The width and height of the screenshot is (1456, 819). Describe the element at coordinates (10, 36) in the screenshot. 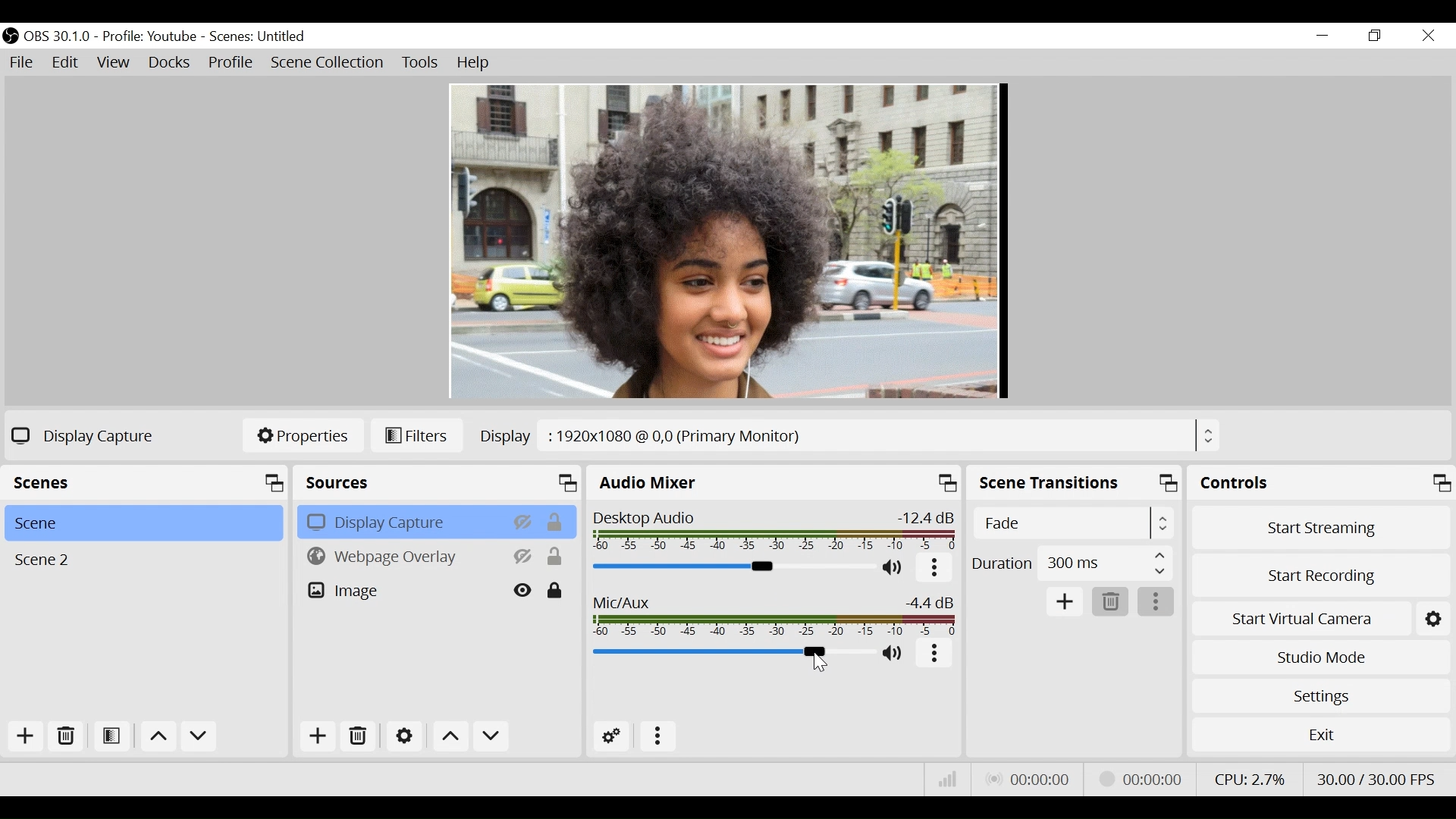

I see `OBS Studio Desktop Icon` at that location.